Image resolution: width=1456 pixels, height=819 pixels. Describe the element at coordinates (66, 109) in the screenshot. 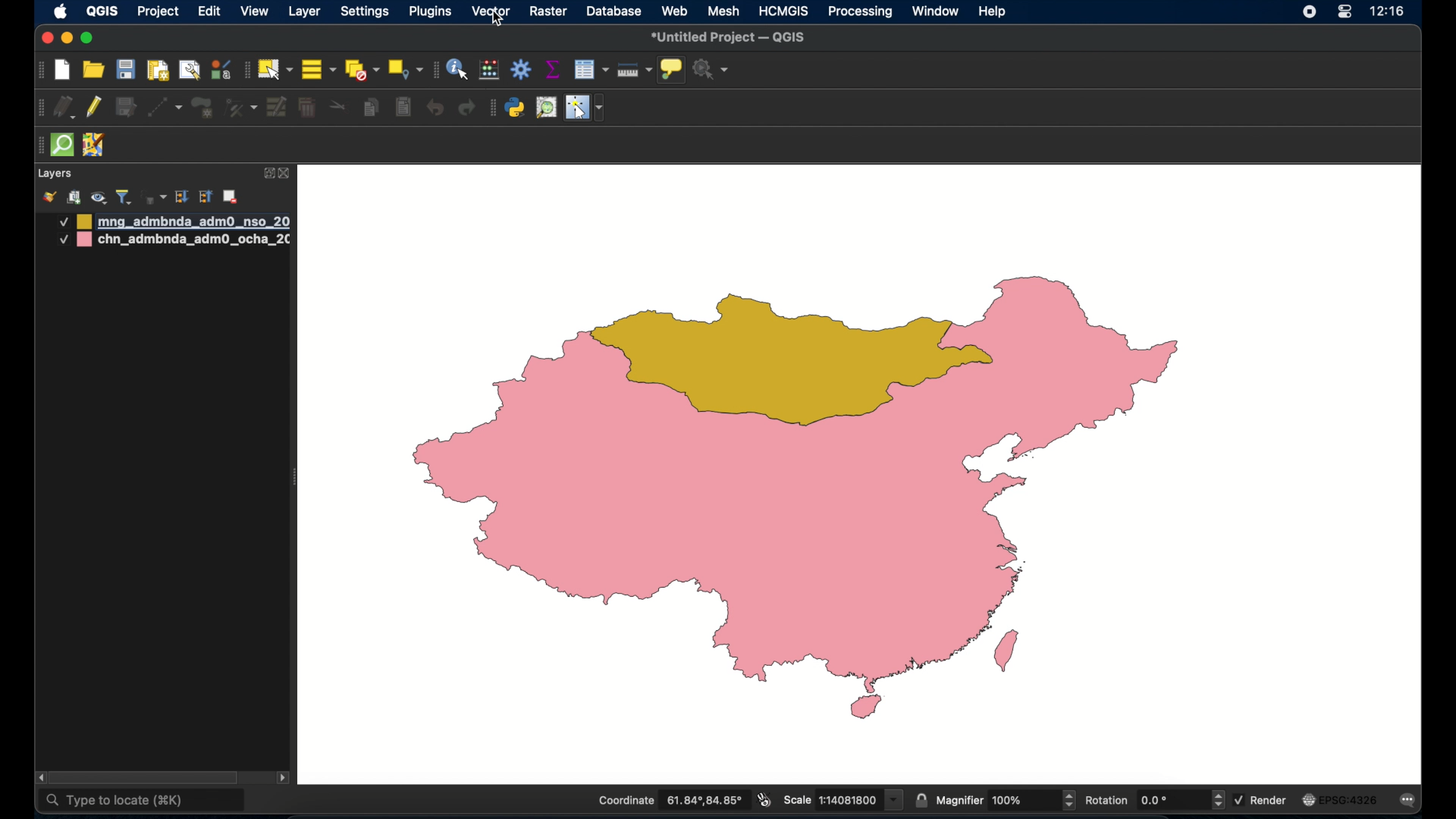

I see `current edits` at that location.